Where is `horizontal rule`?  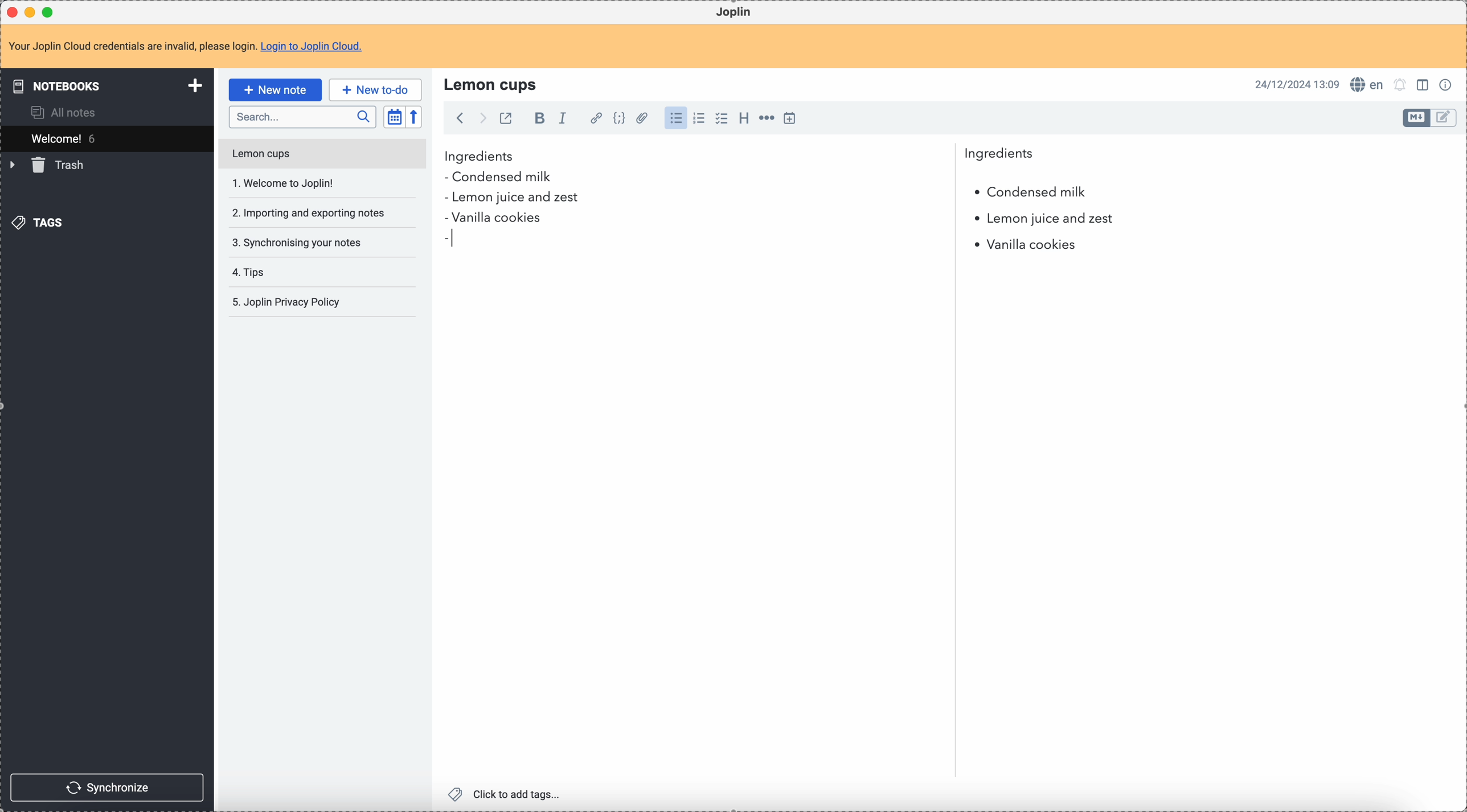
horizontal rule is located at coordinates (765, 120).